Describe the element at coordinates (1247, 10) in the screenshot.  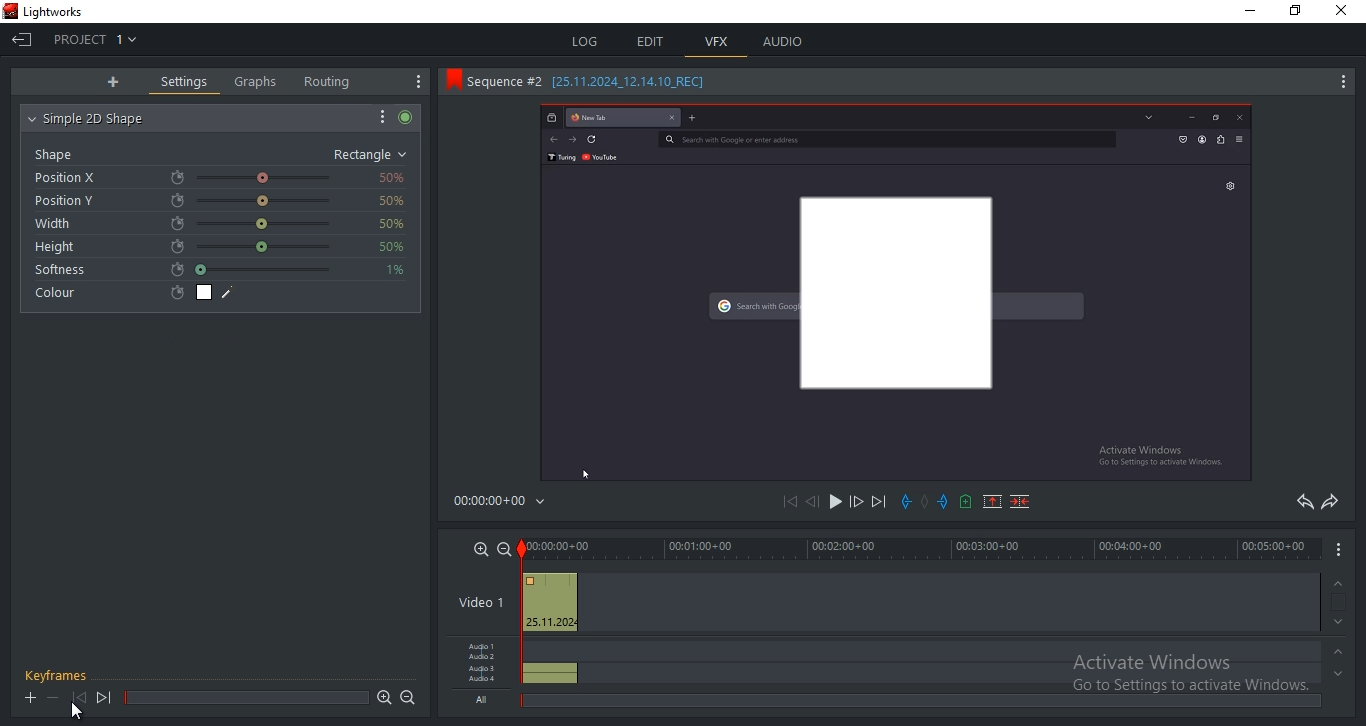
I see `minimize` at that location.